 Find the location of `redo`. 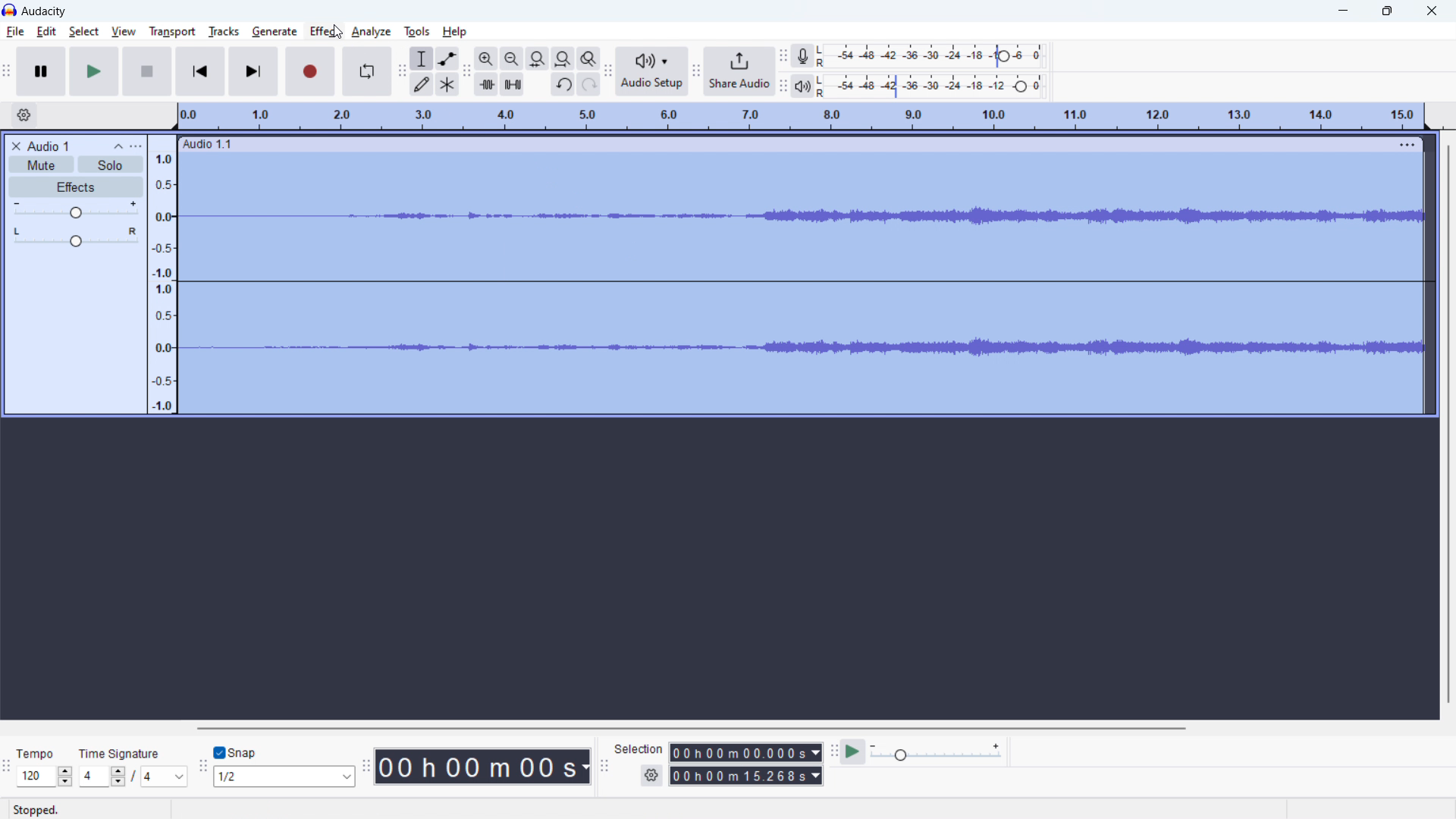

redo is located at coordinates (588, 84).